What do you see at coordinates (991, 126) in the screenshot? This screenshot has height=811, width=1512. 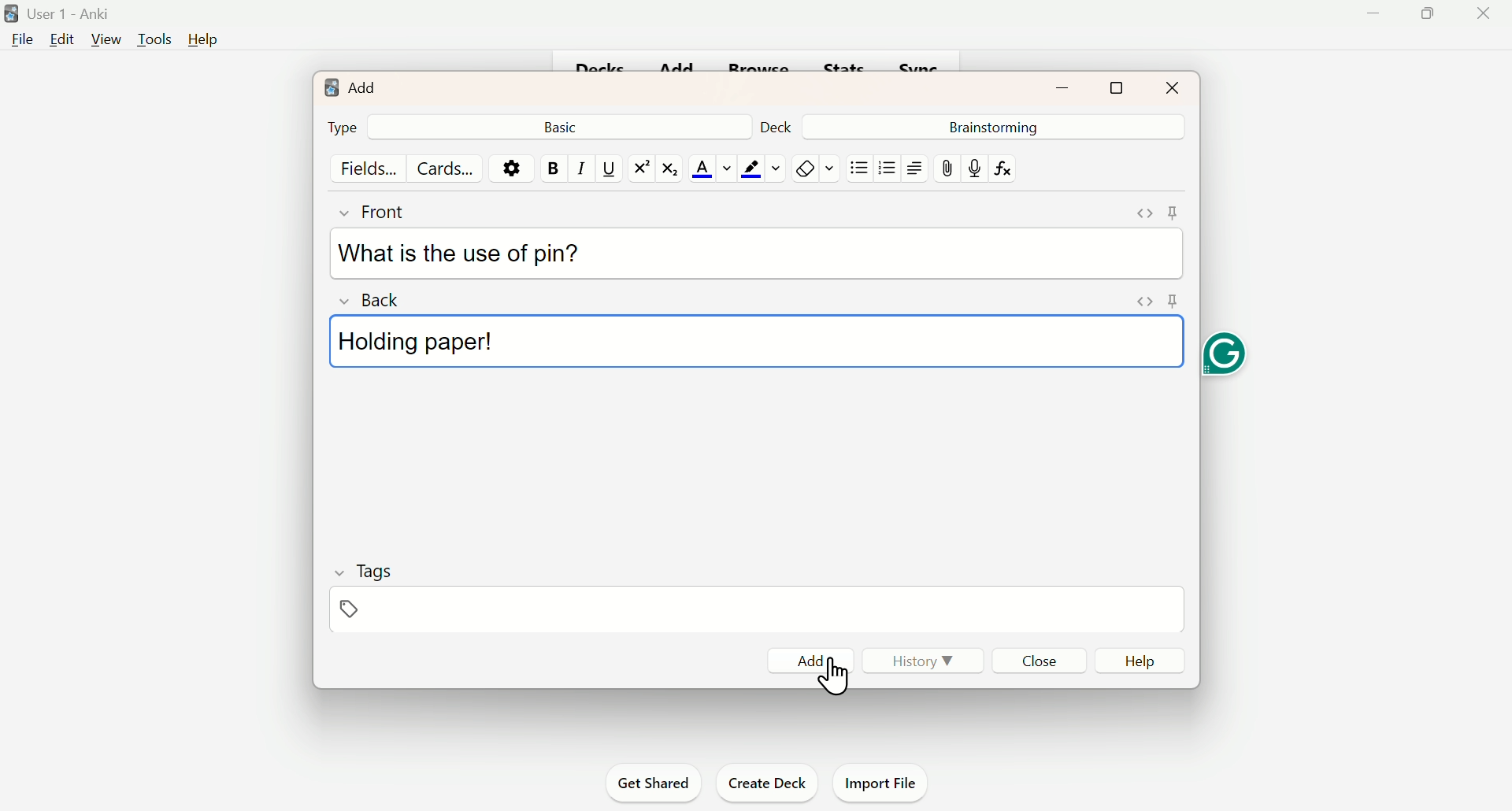 I see `Brainstorming` at bounding box center [991, 126].